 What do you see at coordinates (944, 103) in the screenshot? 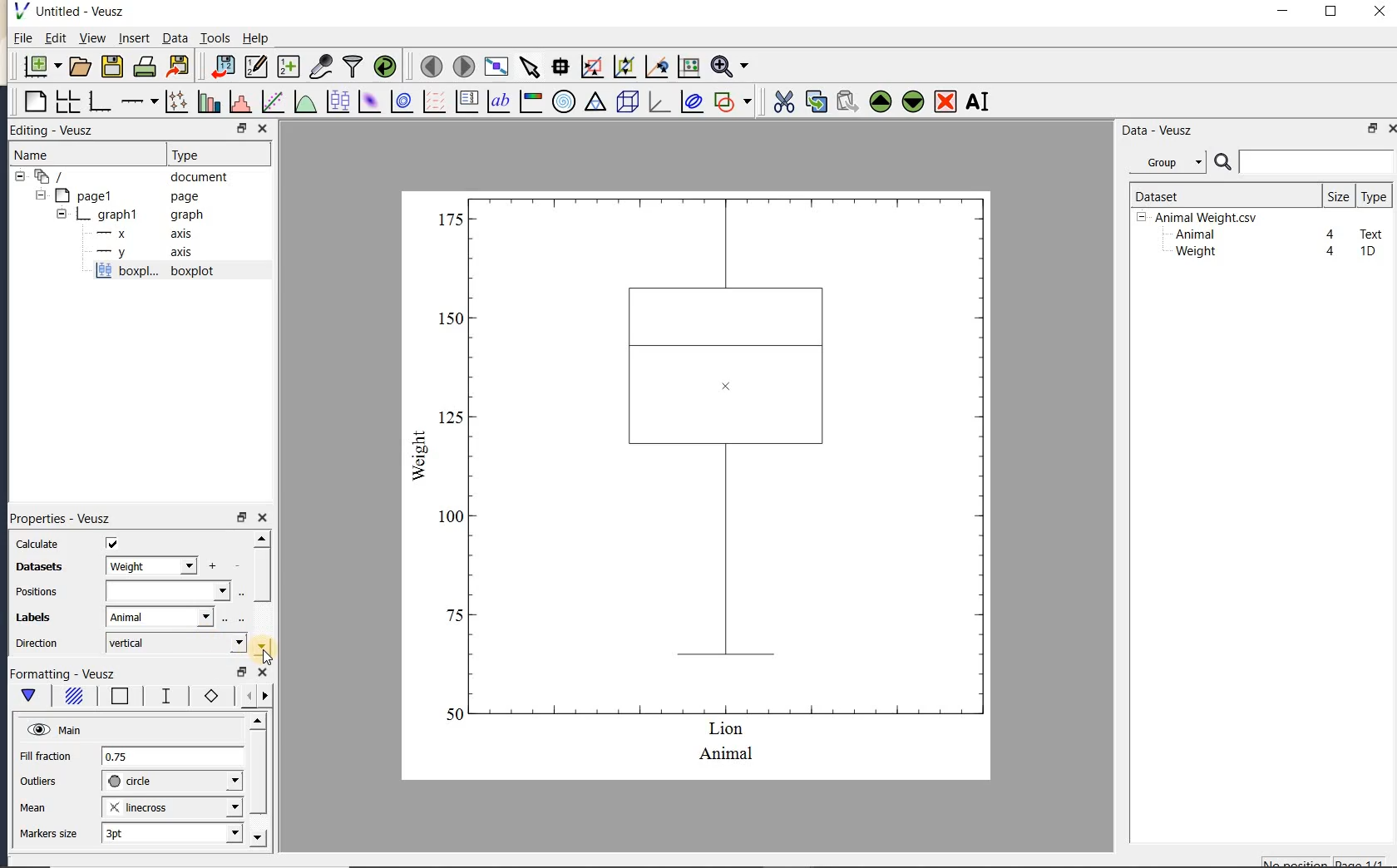
I see `remove the selected widget` at bounding box center [944, 103].